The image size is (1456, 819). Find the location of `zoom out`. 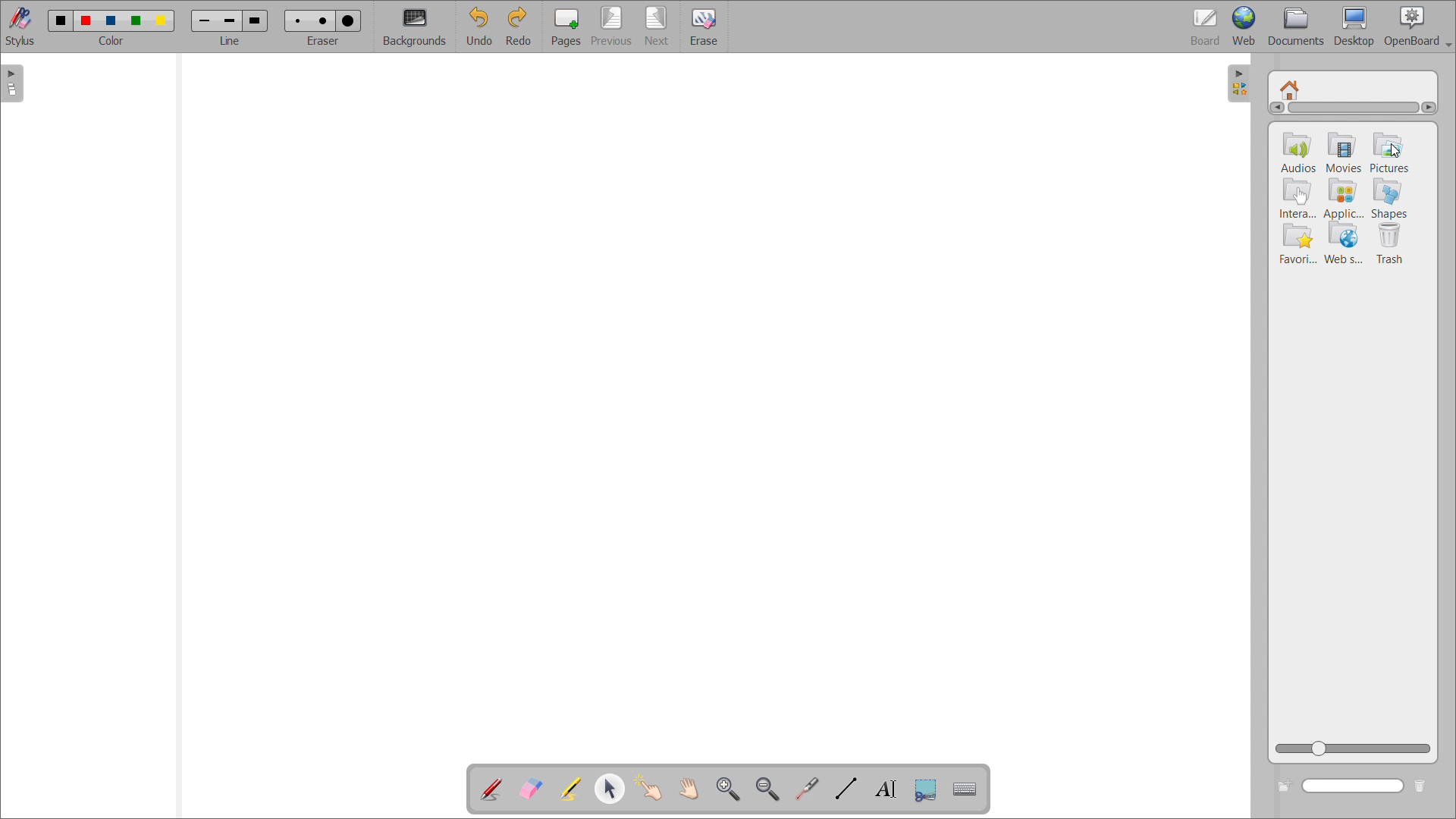

zoom out is located at coordinates (767, 789).